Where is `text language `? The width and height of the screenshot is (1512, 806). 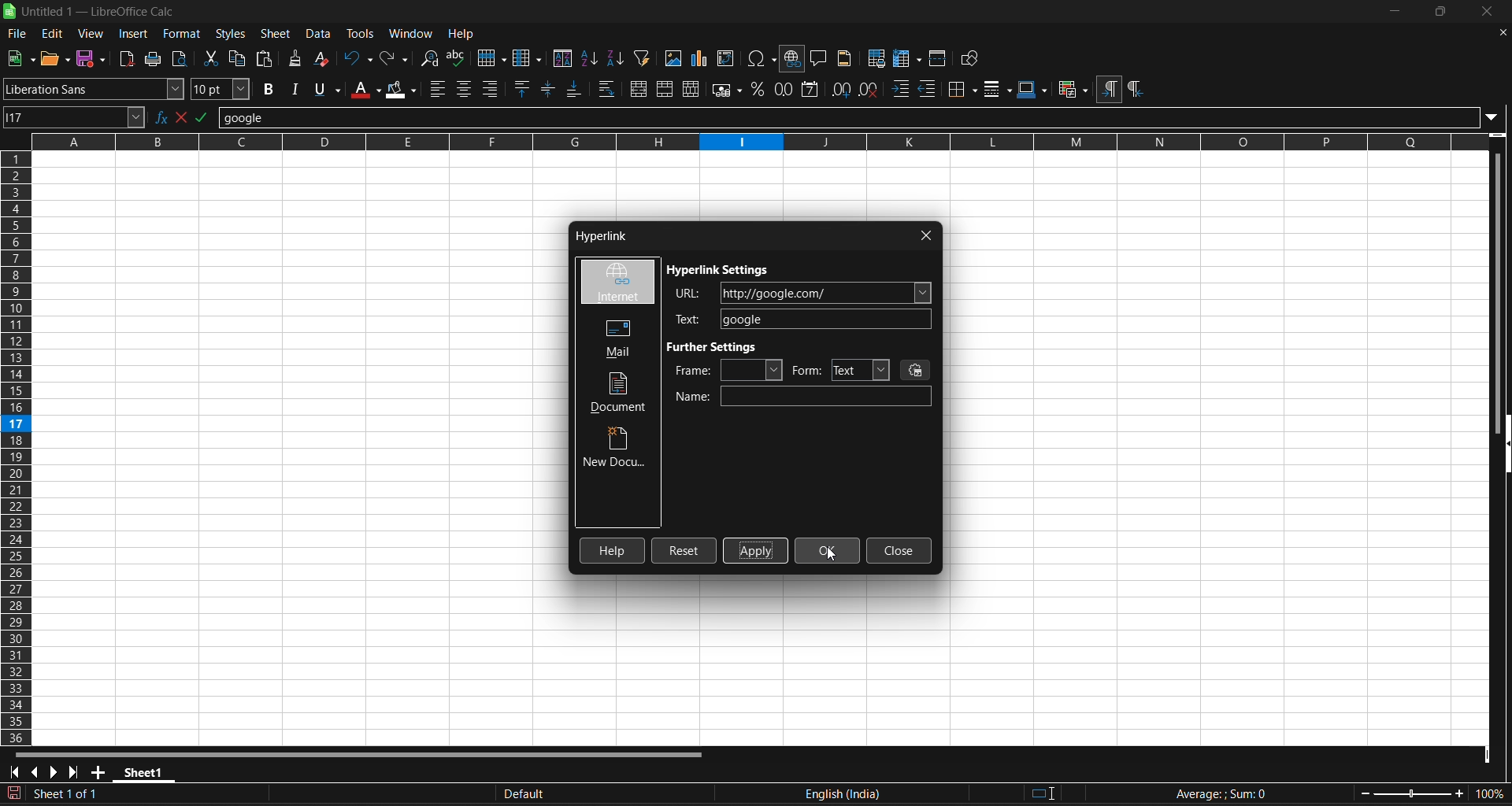
text language  is located at coordinates (904, 794).